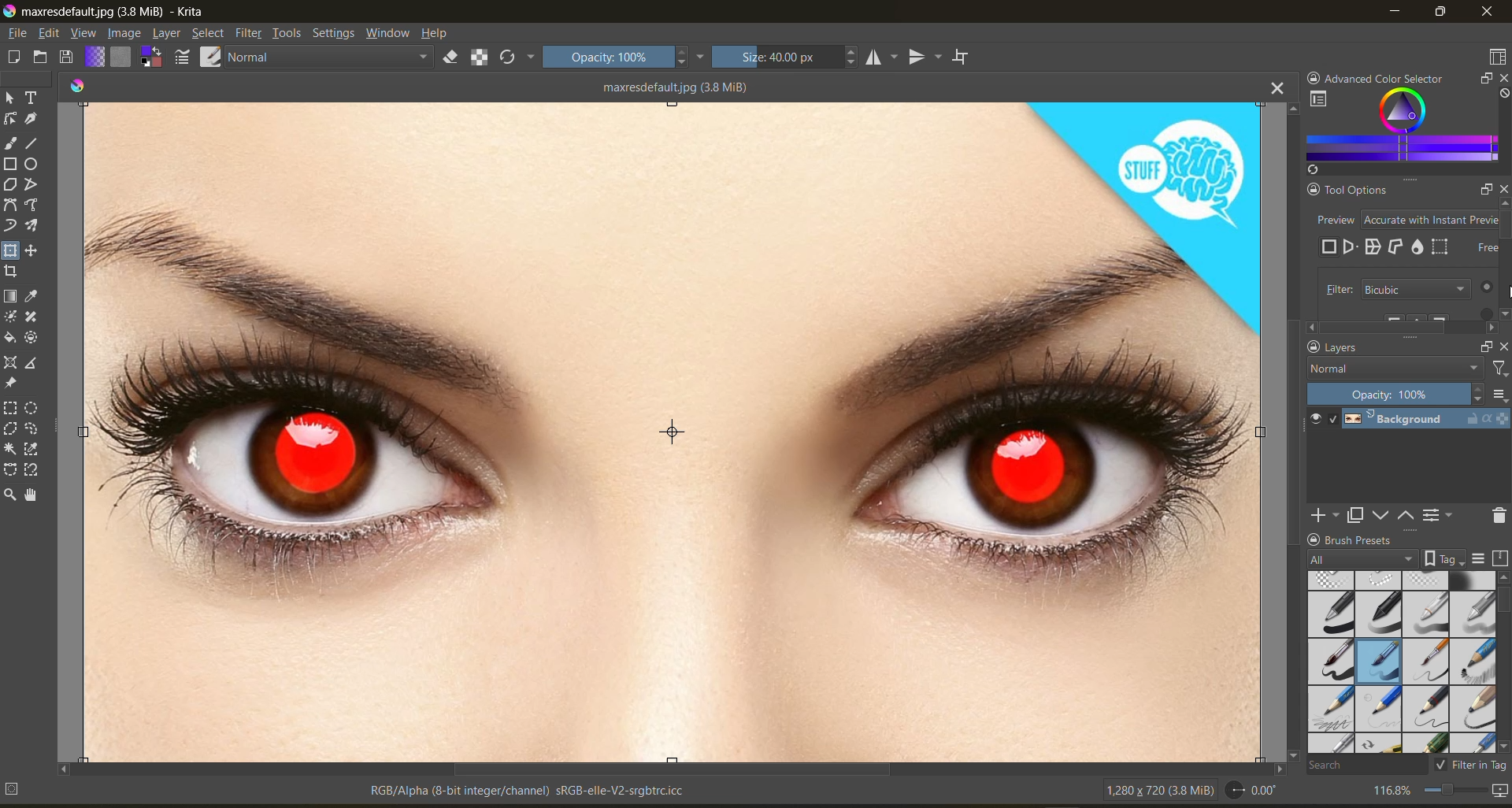 The image size is (1512, 808). I want to click on Scroll bar, so click(1506, 263).